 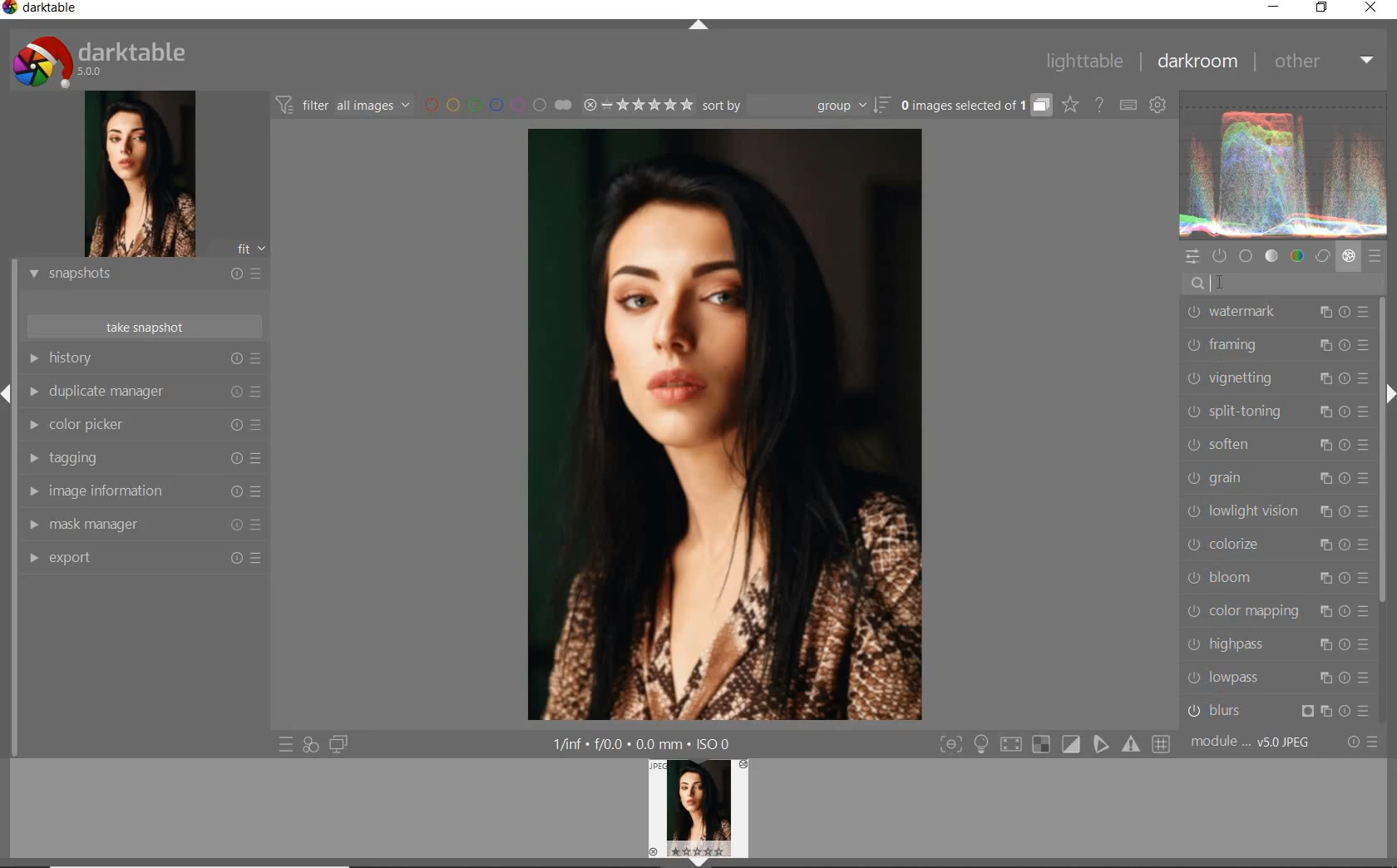 What do you see at coordinates (287, 744) in the screenshot?
I see `quick access to presets` at bounding box center [287, 744].